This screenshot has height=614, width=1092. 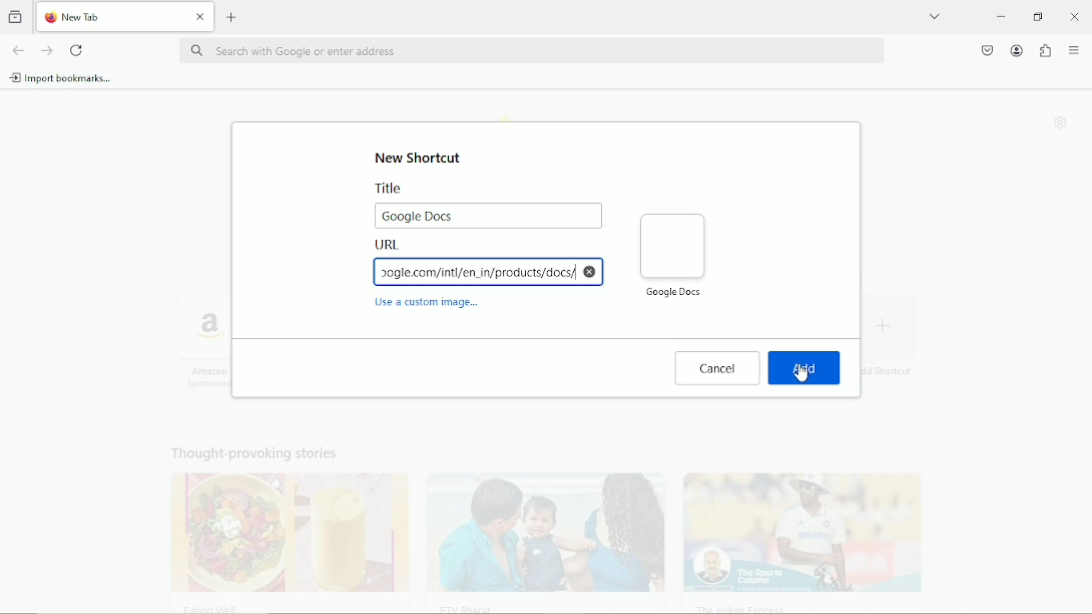 What do you see at coordinates (1075, 16) in the screenshot?
I see `Close` at bounding box center [1075, 16].